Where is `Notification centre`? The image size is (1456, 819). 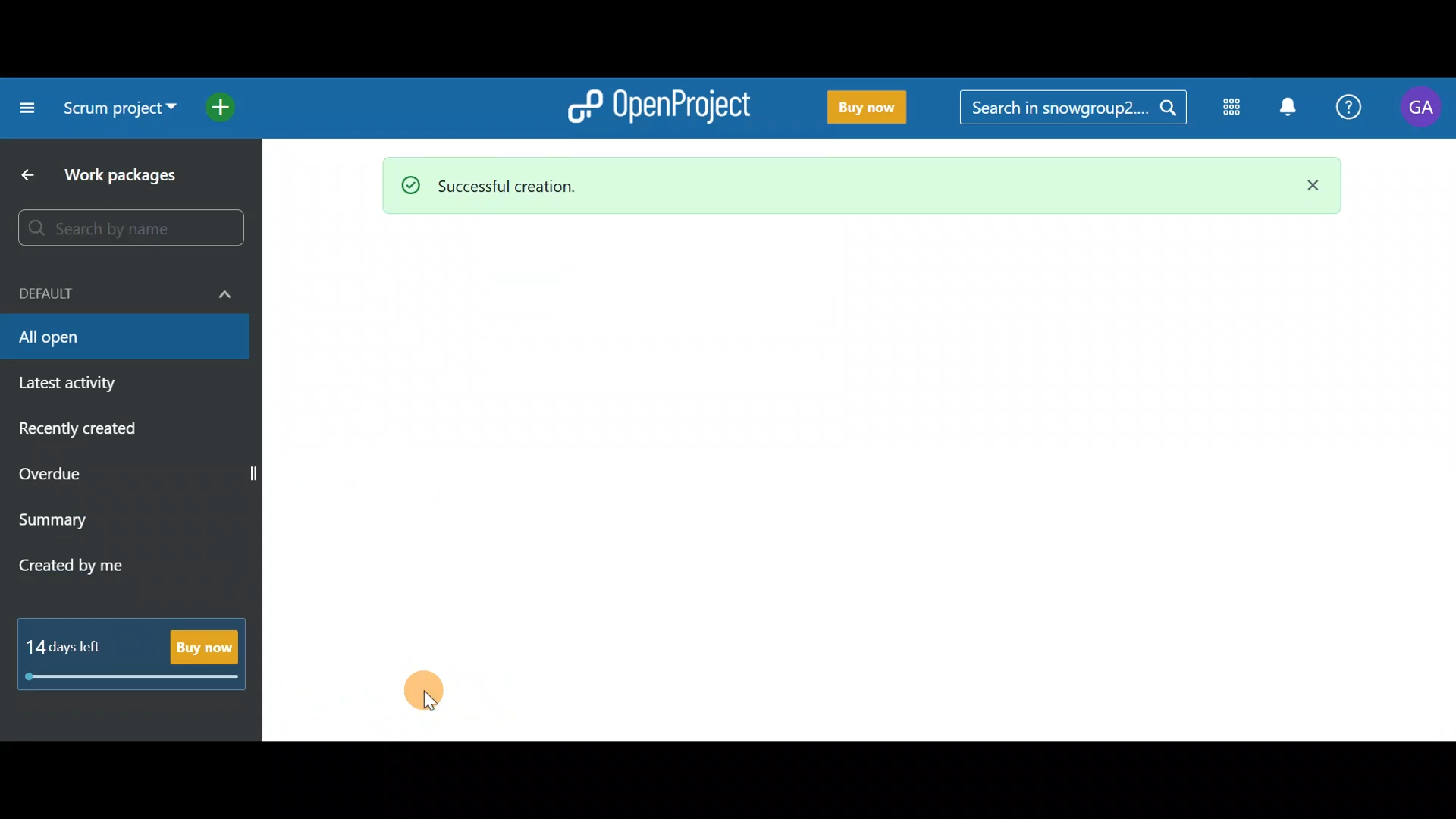
Notification centre is located at coordinates (1287, 108).